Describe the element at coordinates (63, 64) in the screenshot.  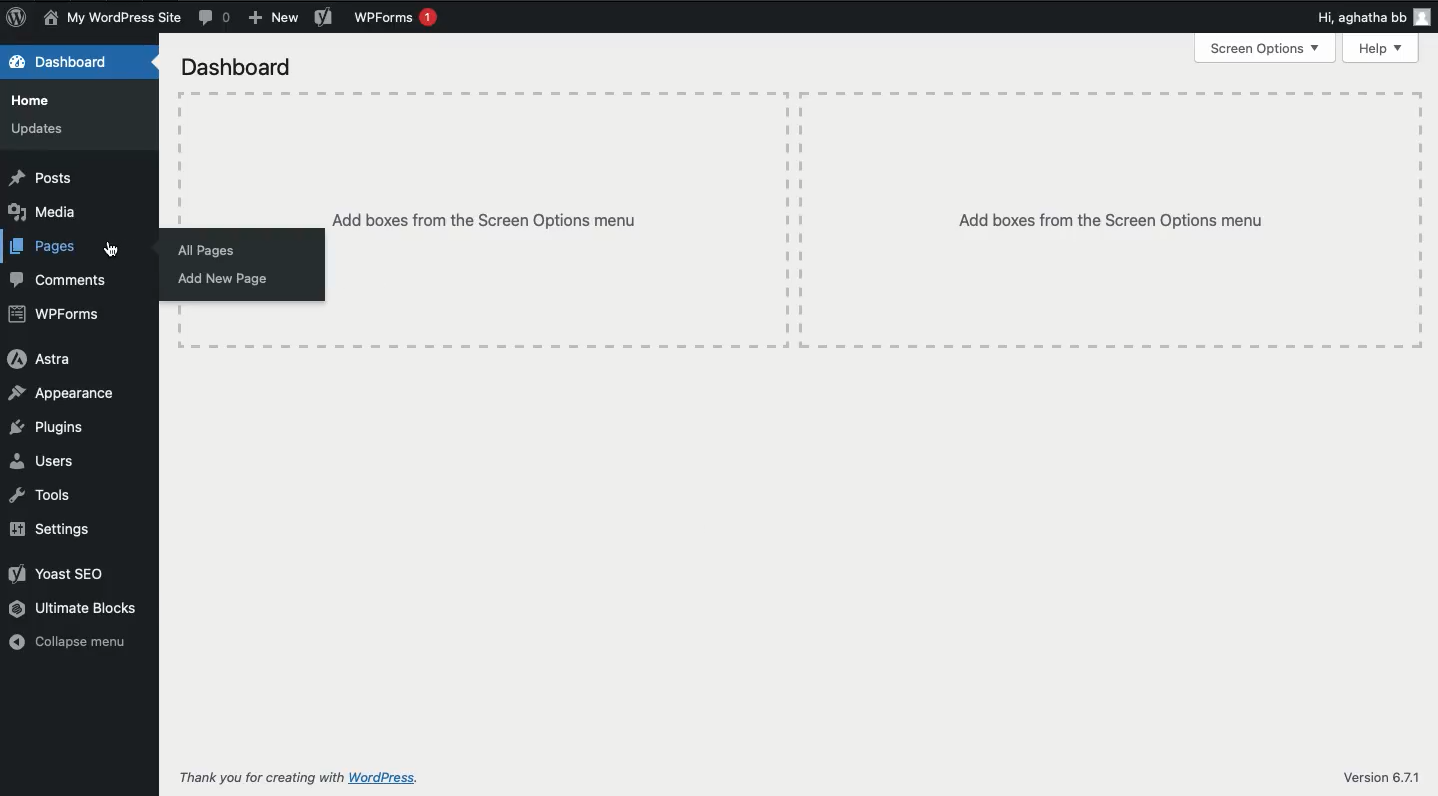
I see `Dashboard` at that location.